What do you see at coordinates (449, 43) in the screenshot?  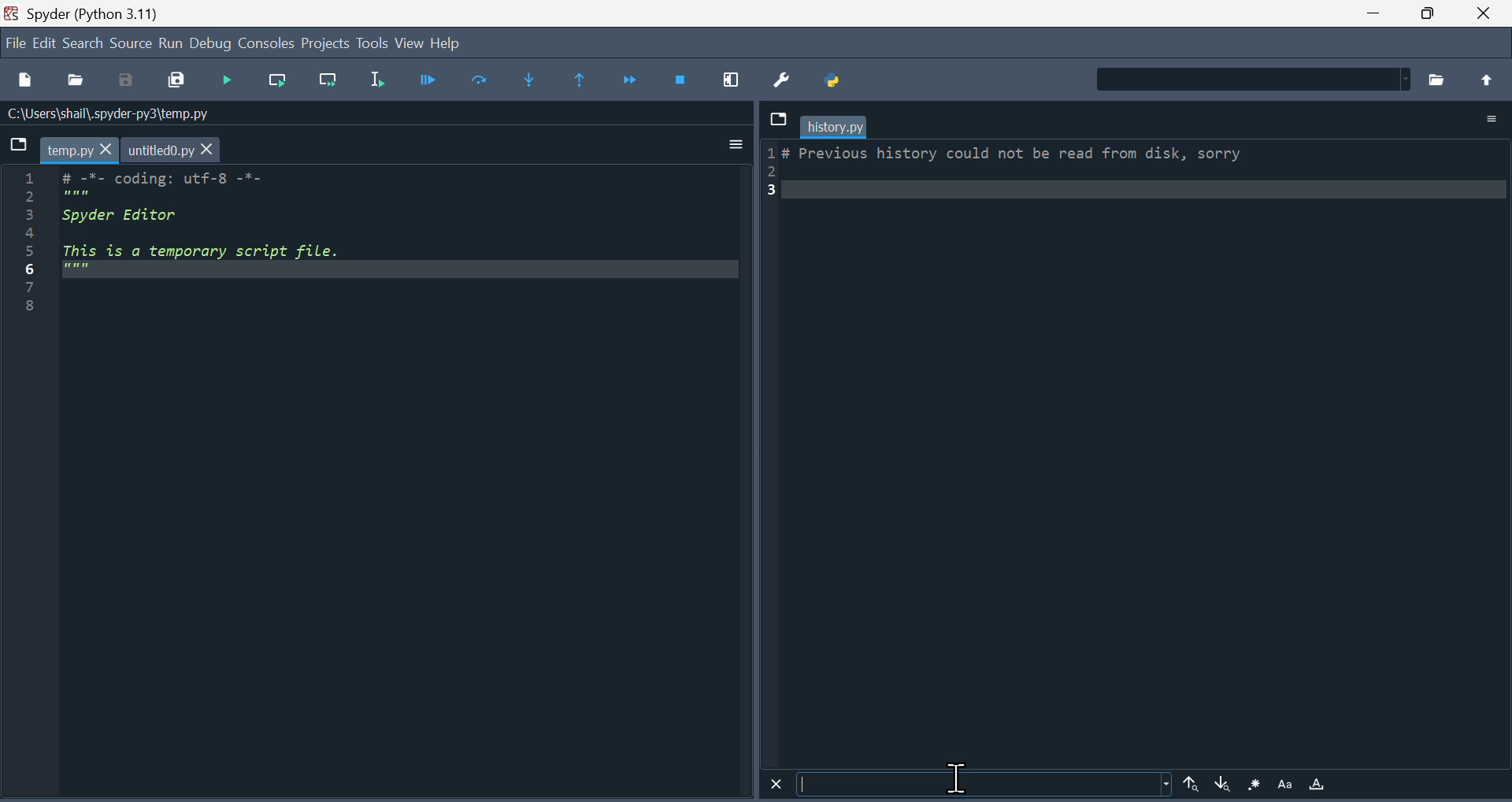 I see `Help` at bounding box center [449, 43].